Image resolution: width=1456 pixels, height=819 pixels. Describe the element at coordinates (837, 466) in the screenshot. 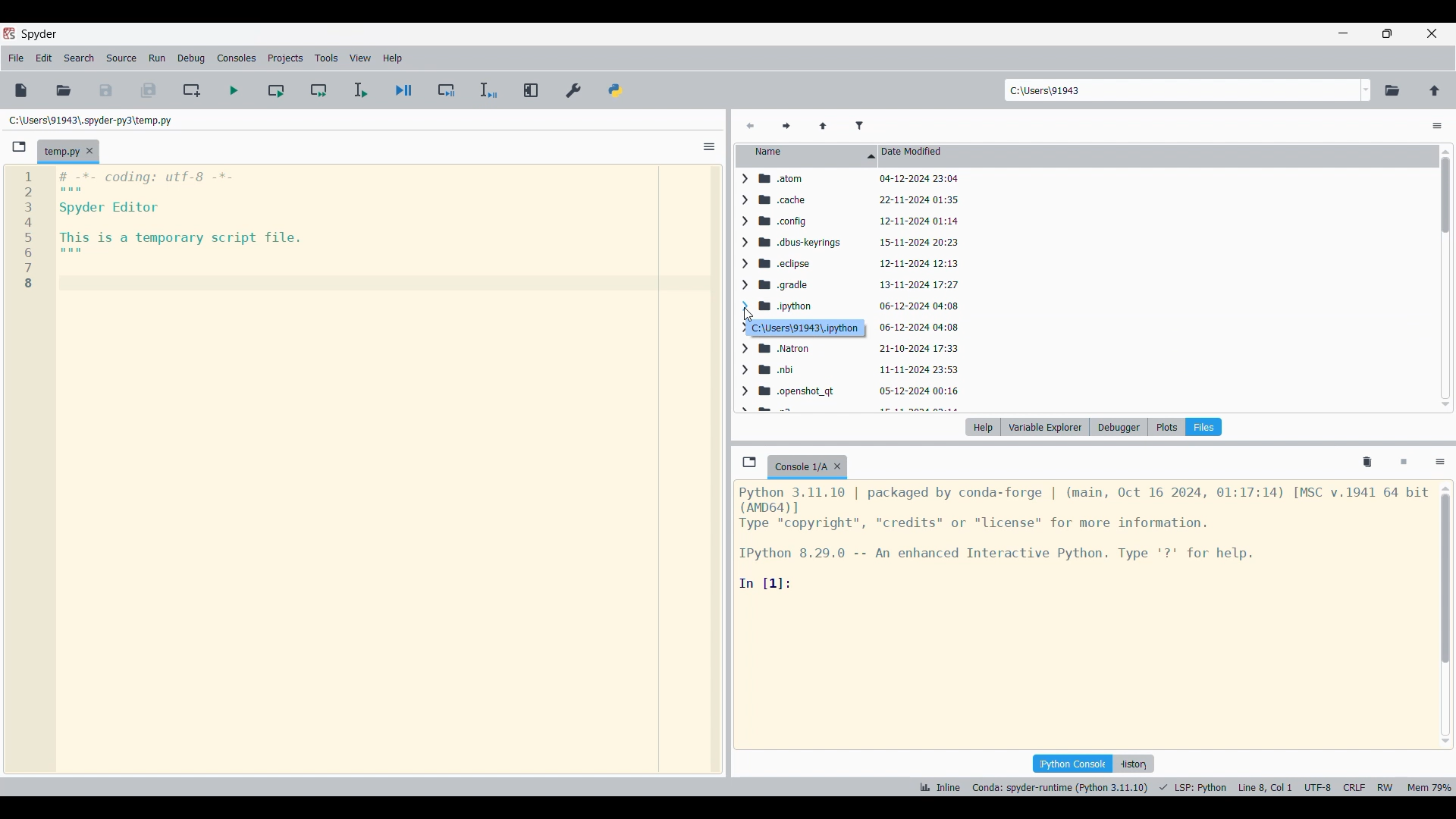

I see `Close` at that location.